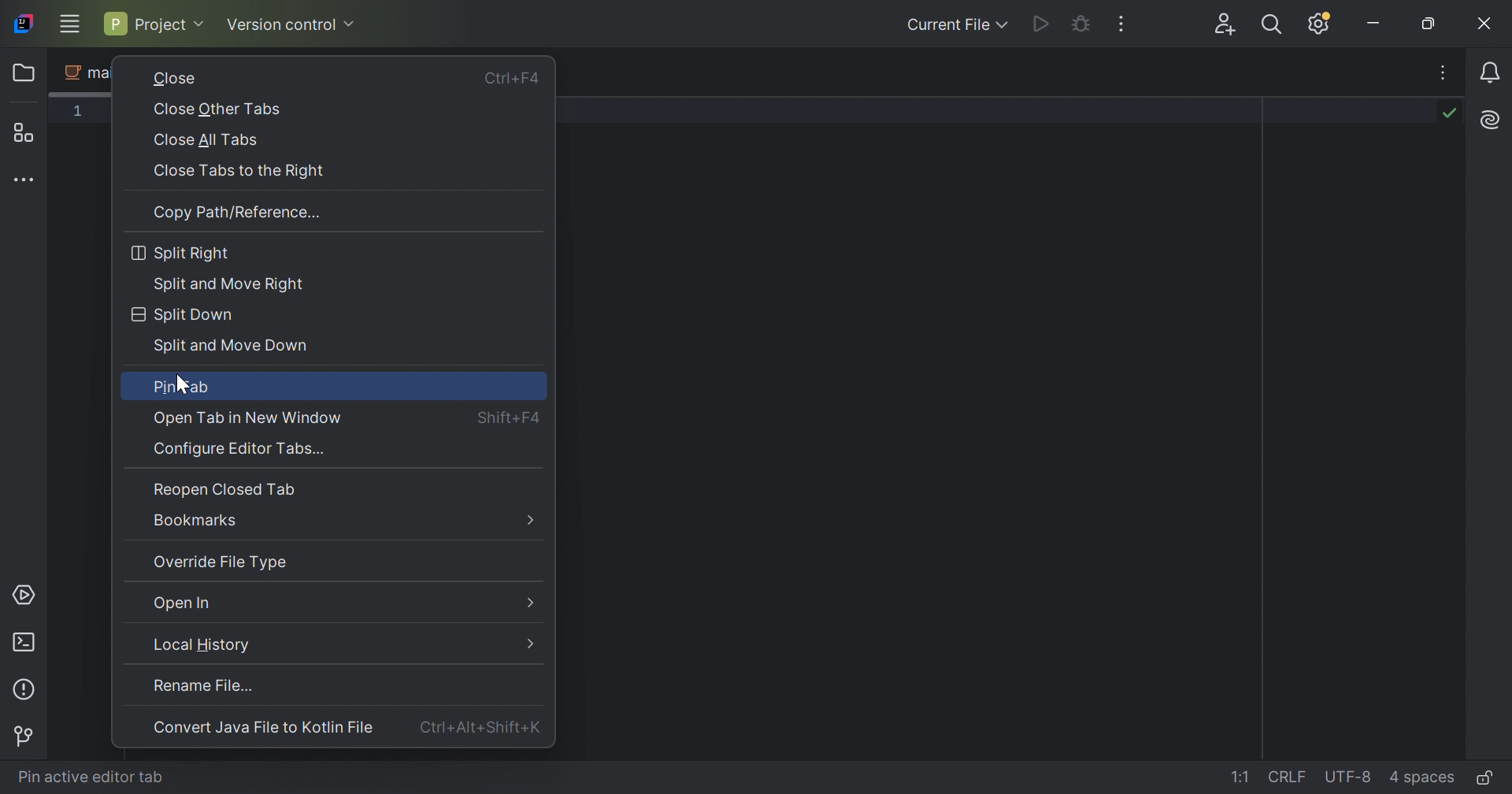 Image resolution: width=1512 pixels, height=794 pixels. Describe the element at coordinates (198, 521) in the screenshot. I see `Bookmarks` at that location.